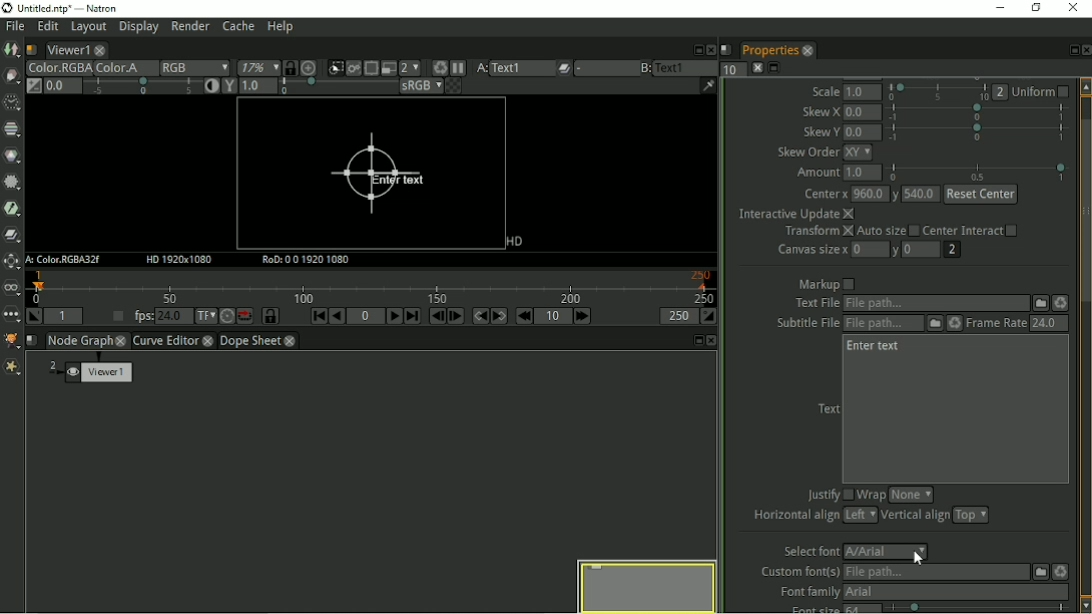 This screenshot has height=614, width=1092. Describe the element at coordinates (885, 324) in the screenshot. I see `Subtitle File` at that location.